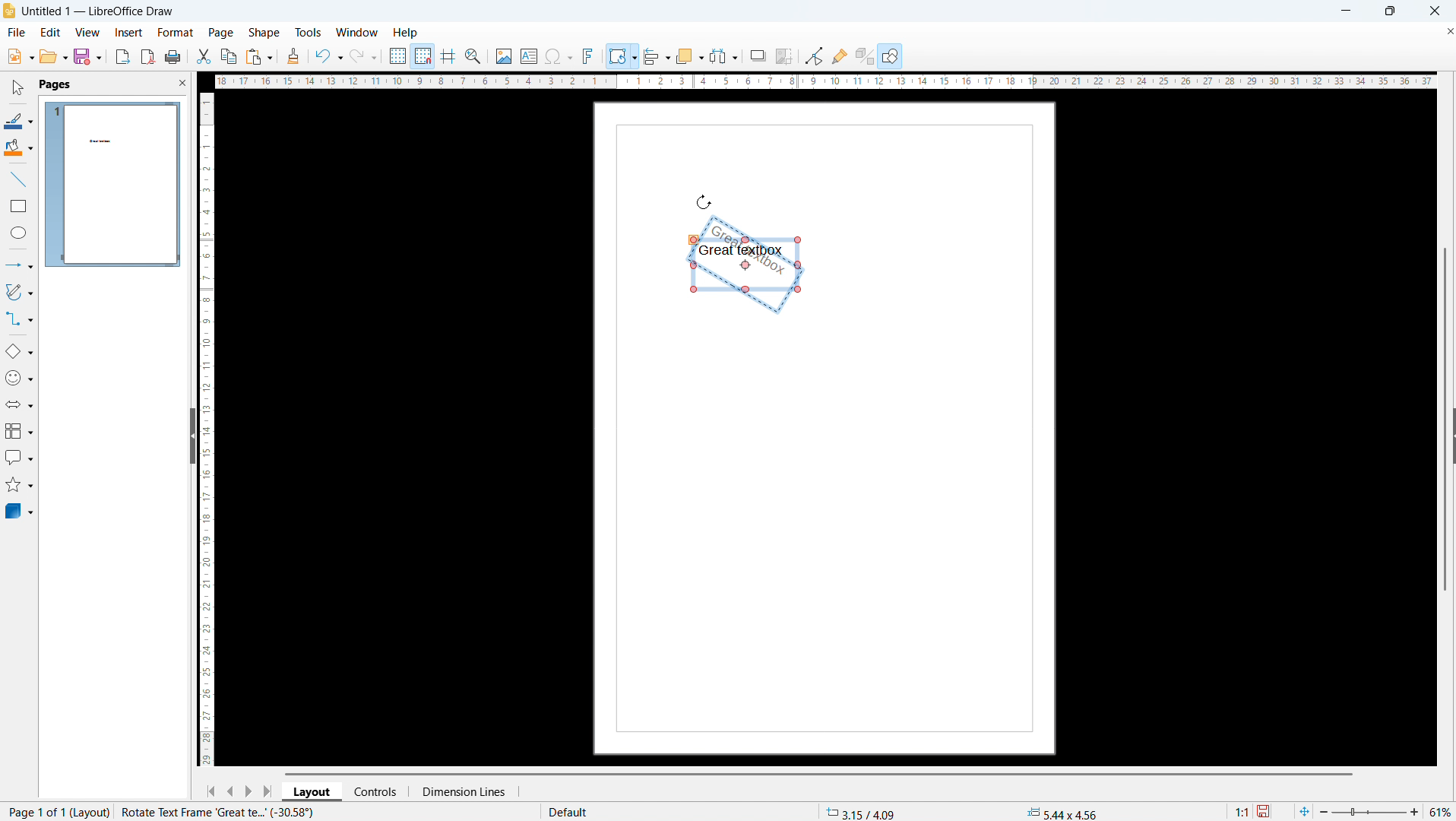 This screenshot has width=1456, height=821. What do you see at coordinates (18, 234) in the screenshot?
I see `ellipse` at bounding box center [18, 234].